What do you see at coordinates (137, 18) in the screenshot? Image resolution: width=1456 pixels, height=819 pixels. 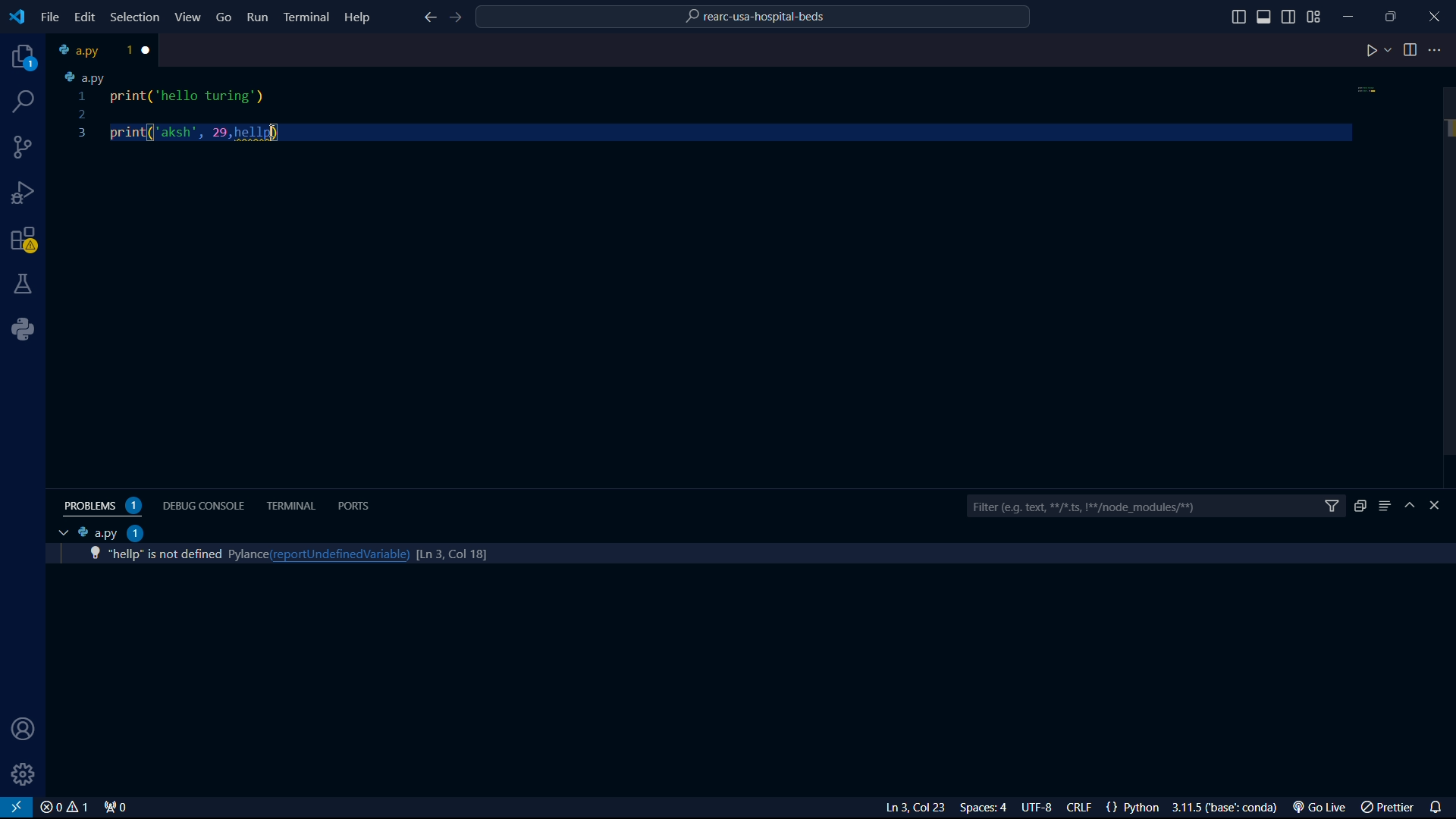 I see `Selection` at bounding box center [137, 18].